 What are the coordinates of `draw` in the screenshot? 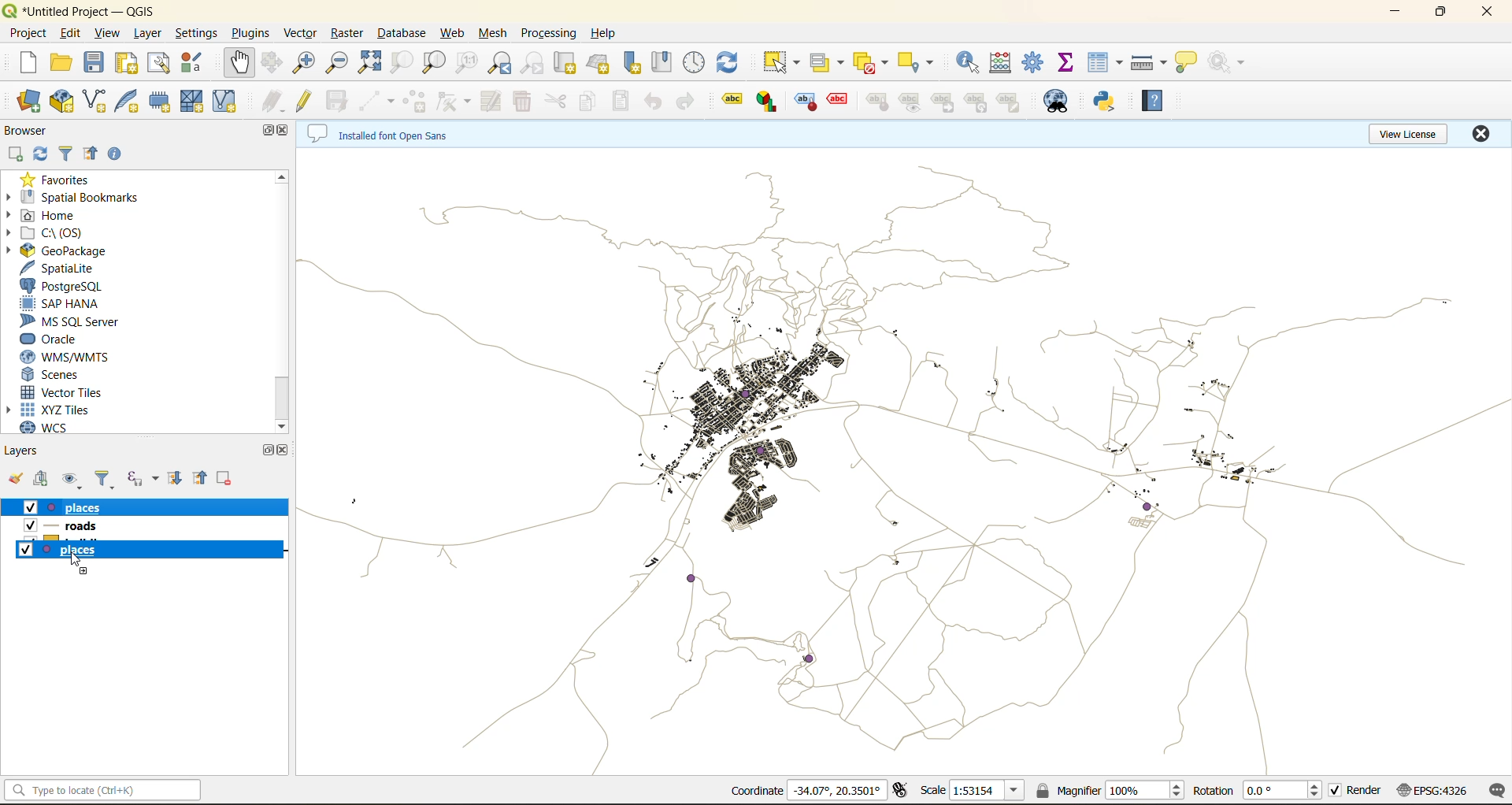 It's located at (450, 102).